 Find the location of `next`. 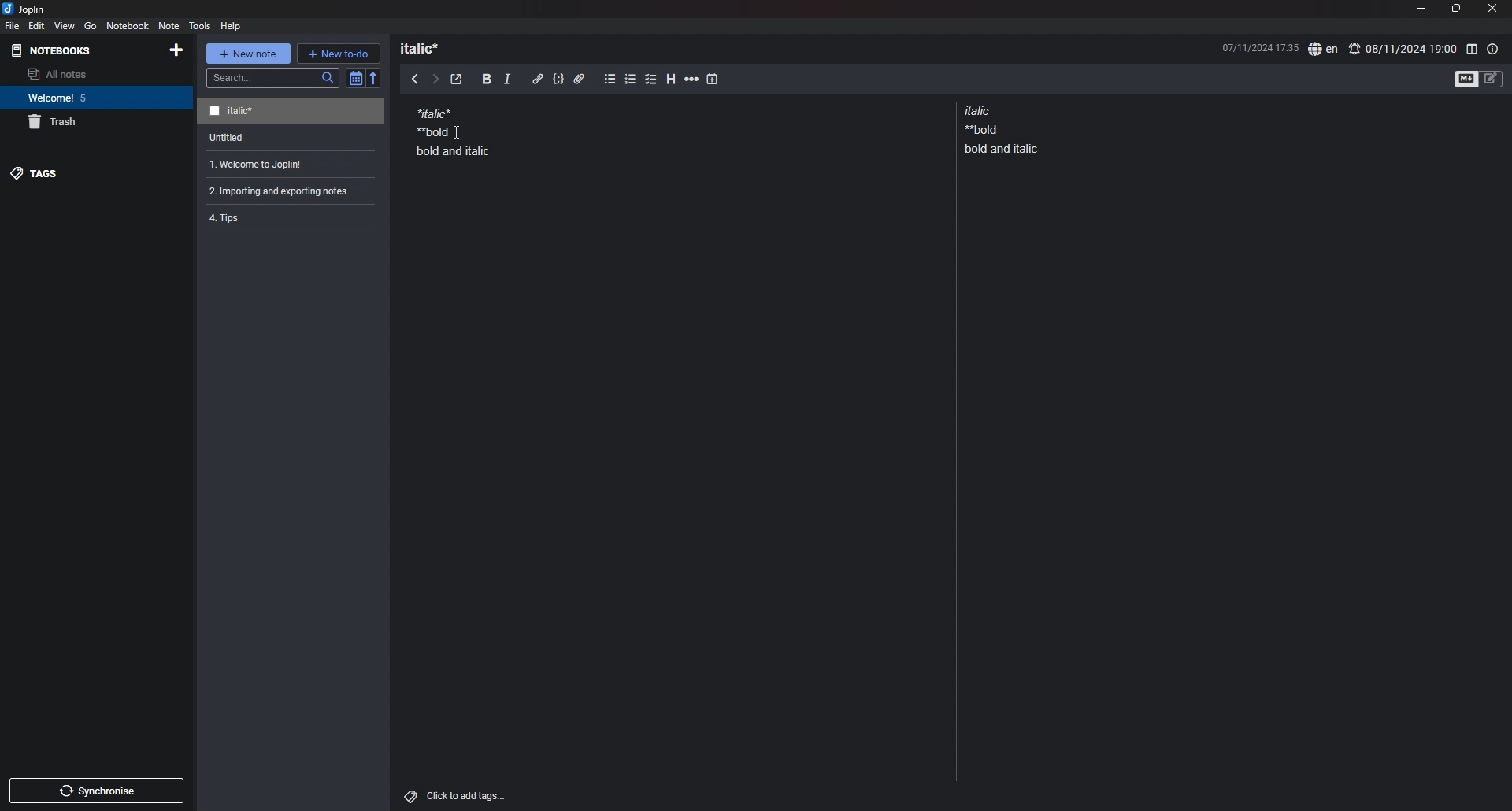

next is located at coordinates (435, 80).